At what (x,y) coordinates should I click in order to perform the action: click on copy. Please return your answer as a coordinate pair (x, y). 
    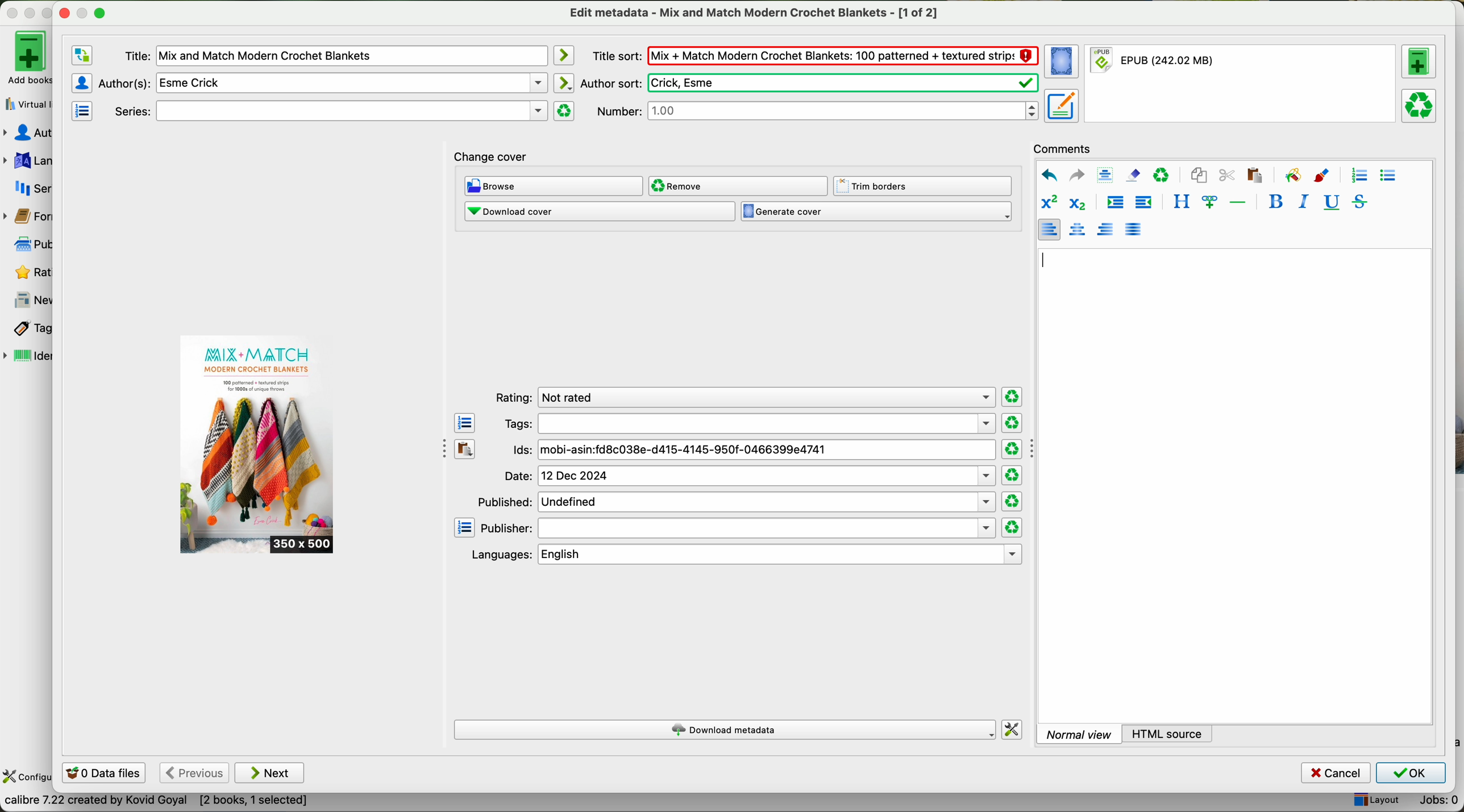
    Looking at the image, I should click on (1199, 176).